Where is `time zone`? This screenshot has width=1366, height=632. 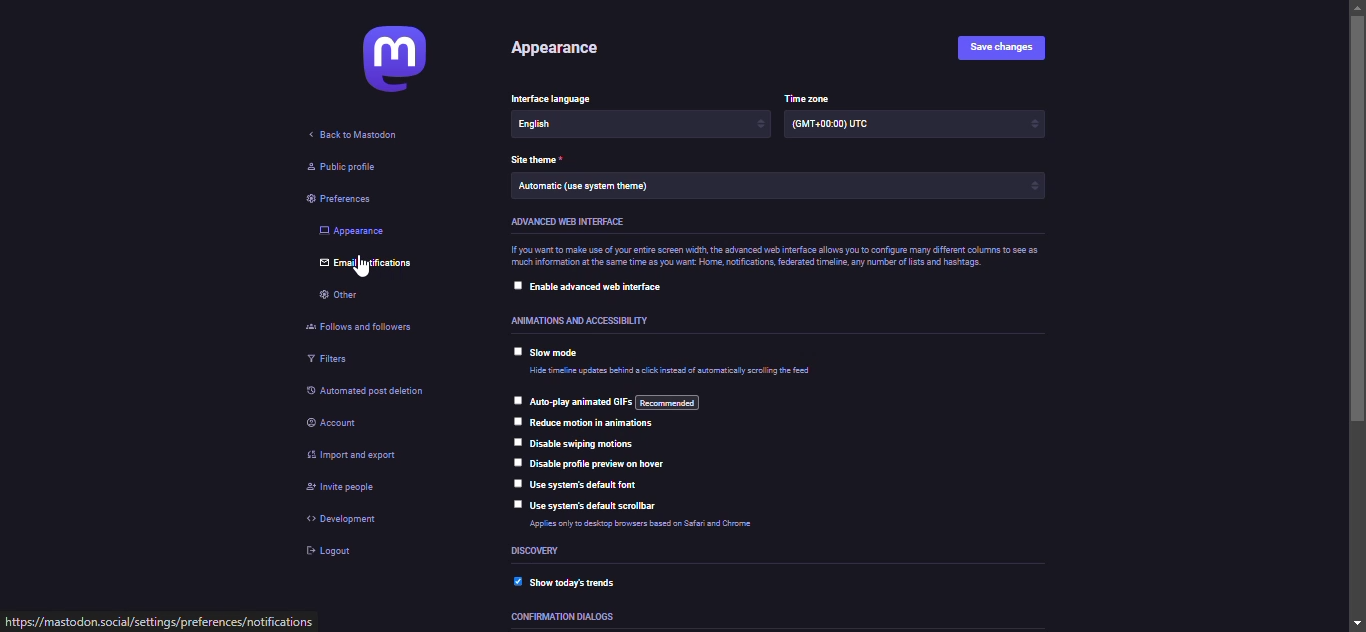 time zone is located at coordinates (810, 97).